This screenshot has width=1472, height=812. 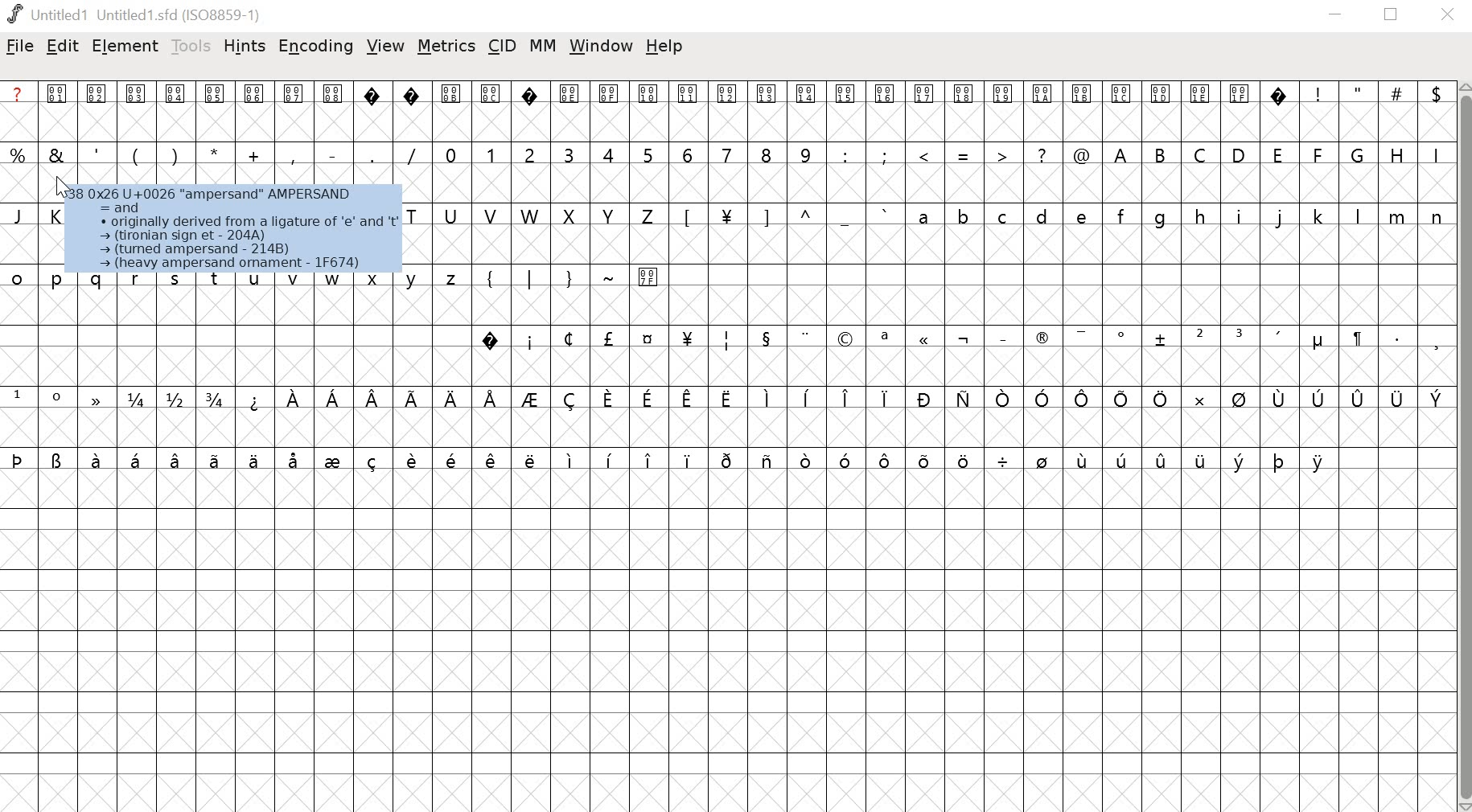 I want to click on !, so click(x=1318, y=111).